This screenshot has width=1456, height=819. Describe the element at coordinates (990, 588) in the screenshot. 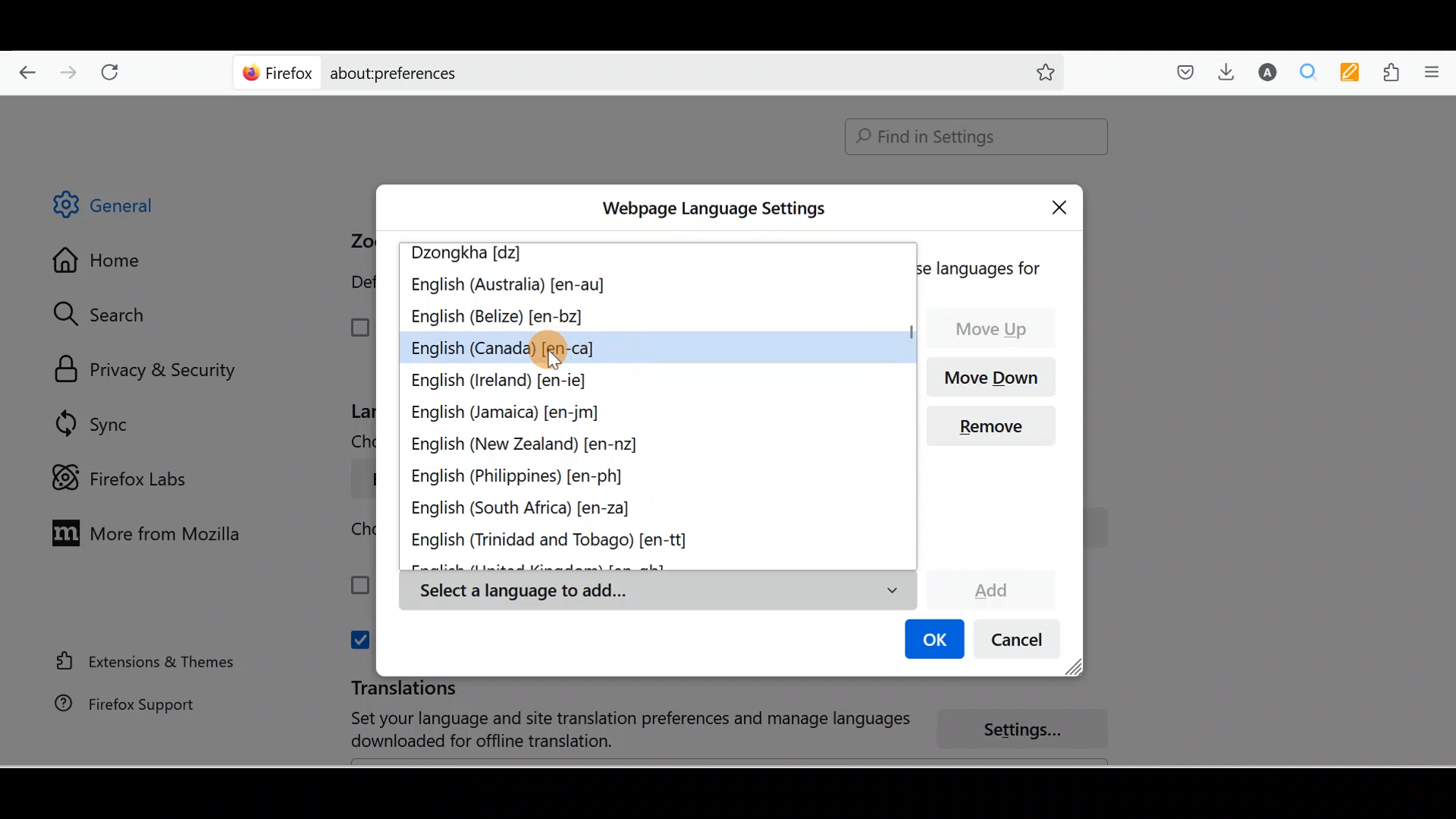

I see `Add` at that location.